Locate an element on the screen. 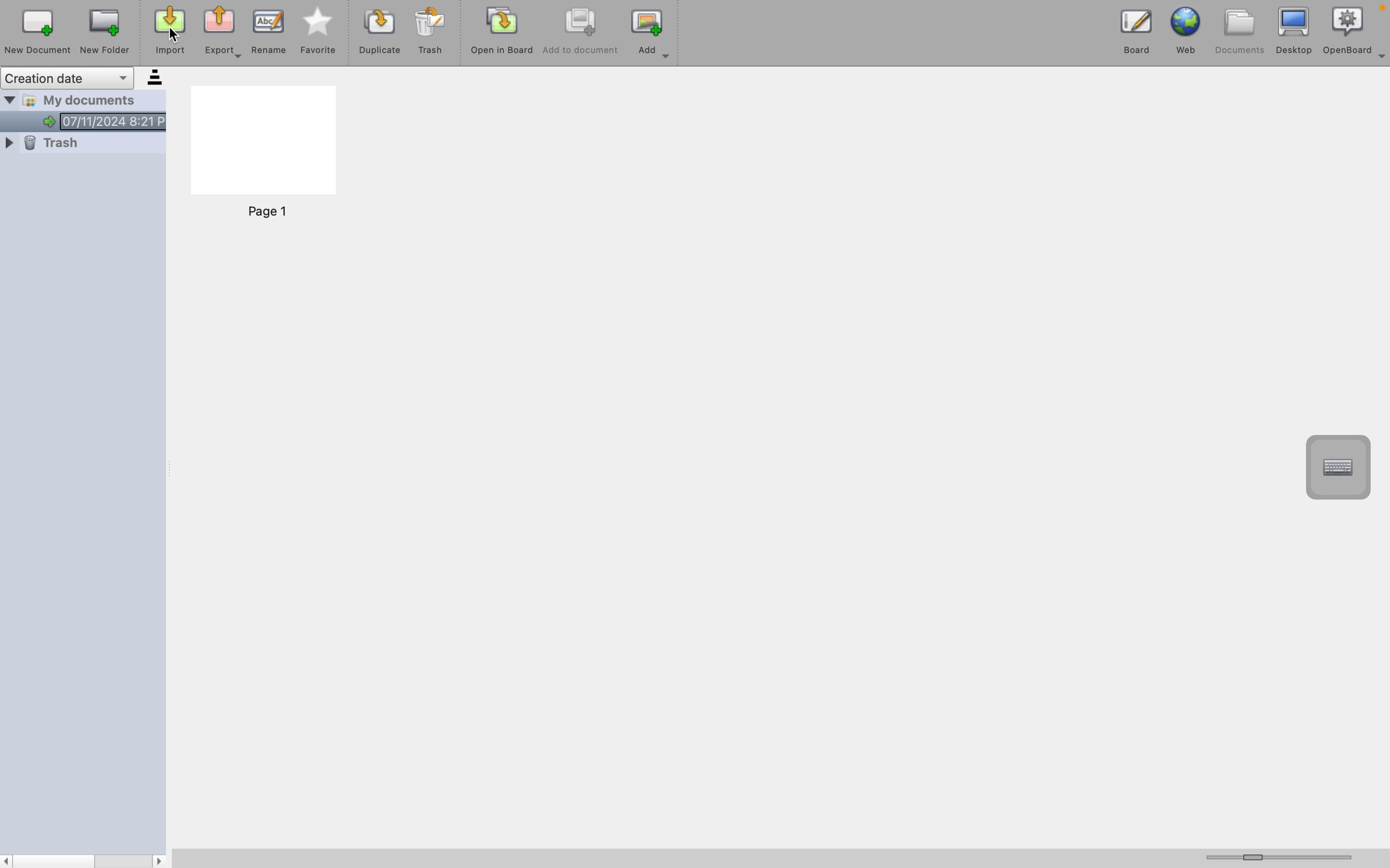 This screenshot has width=1390, height=868. my documents is located at coordinates (87, 113).